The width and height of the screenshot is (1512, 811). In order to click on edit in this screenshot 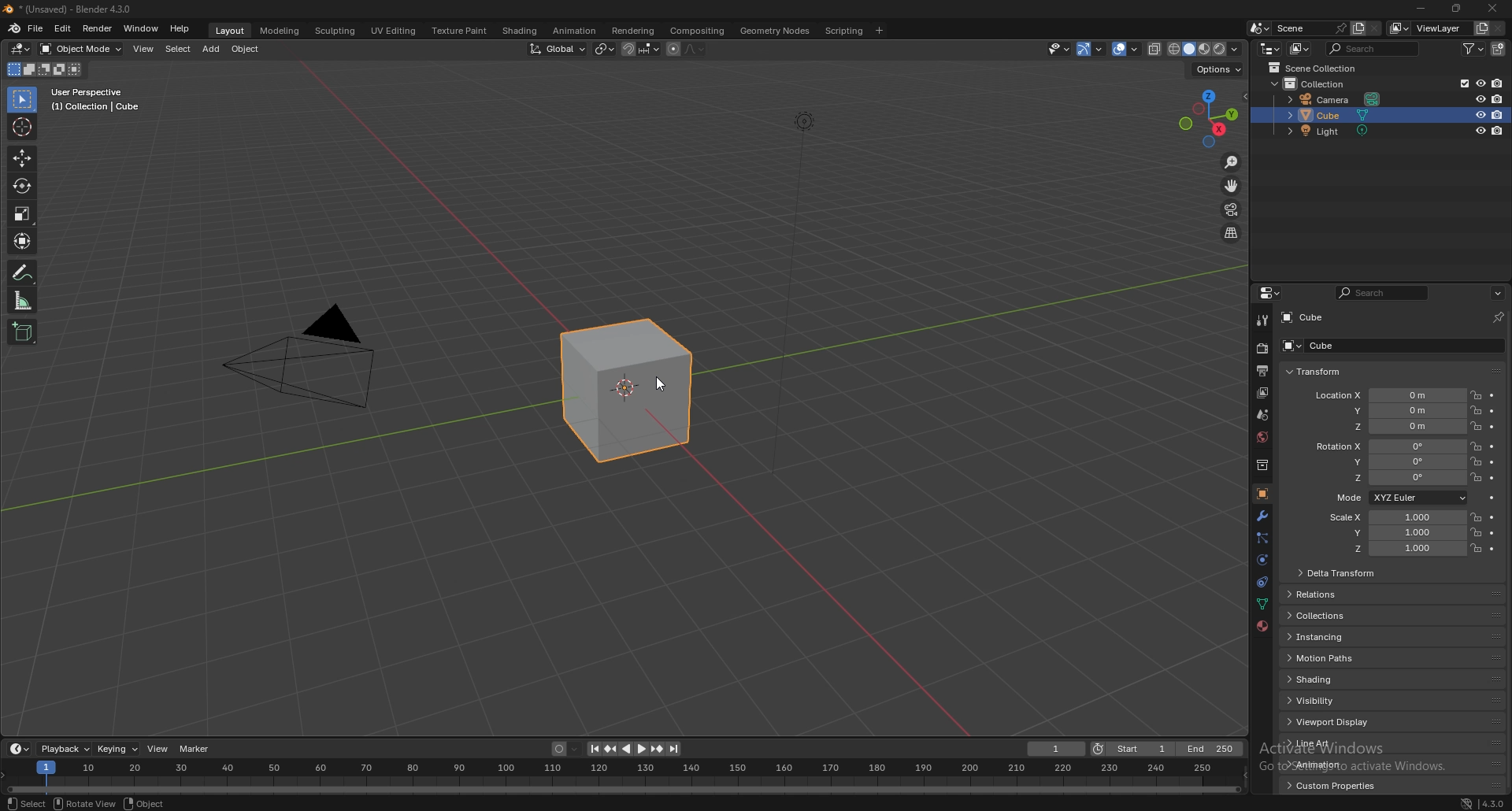, I will do `click(63, 29)`.